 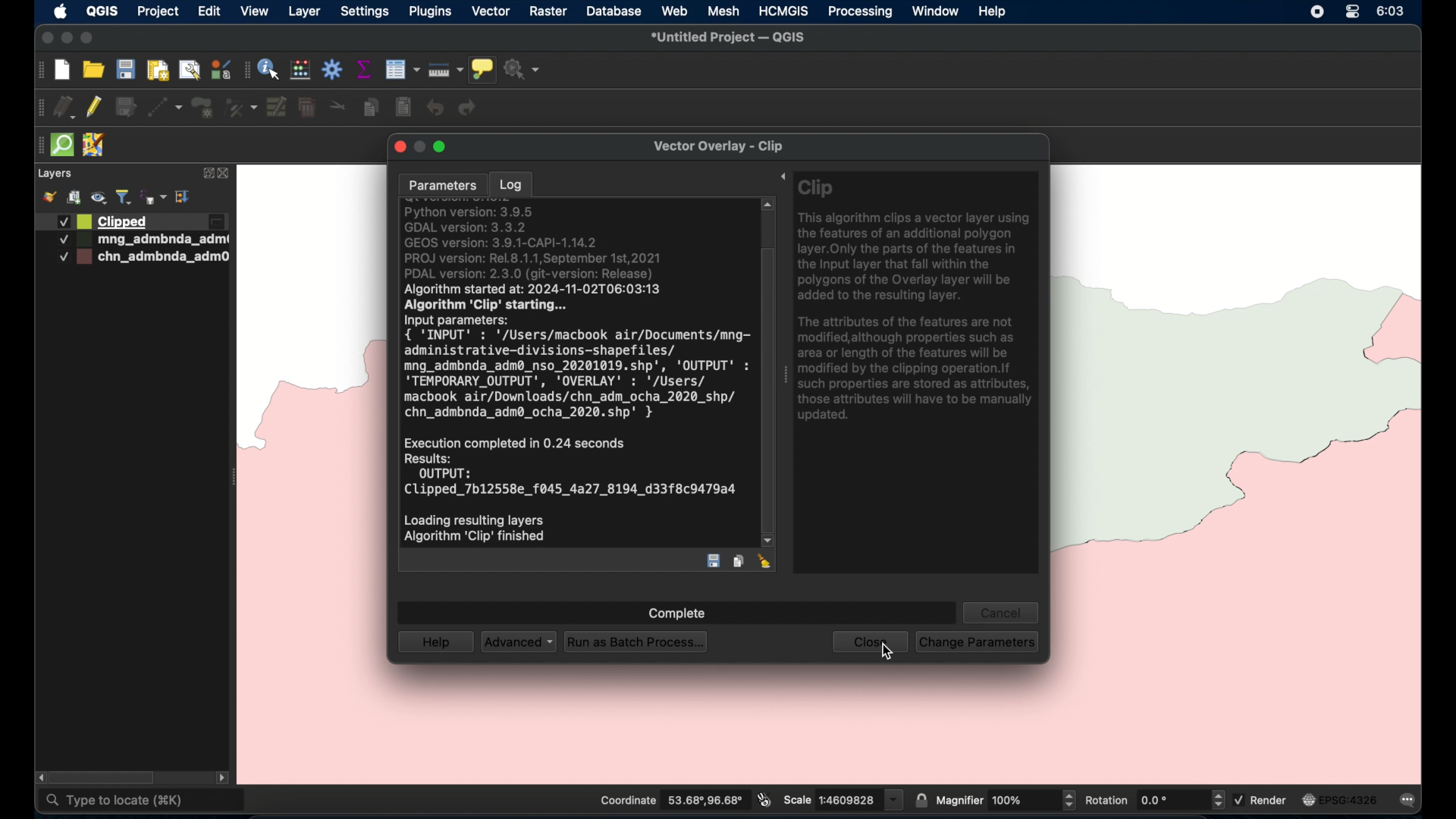 What do you see at coordinates (216, 222) in the screenshot?
I see `edited layer icon` at bounding box center [216, 222].